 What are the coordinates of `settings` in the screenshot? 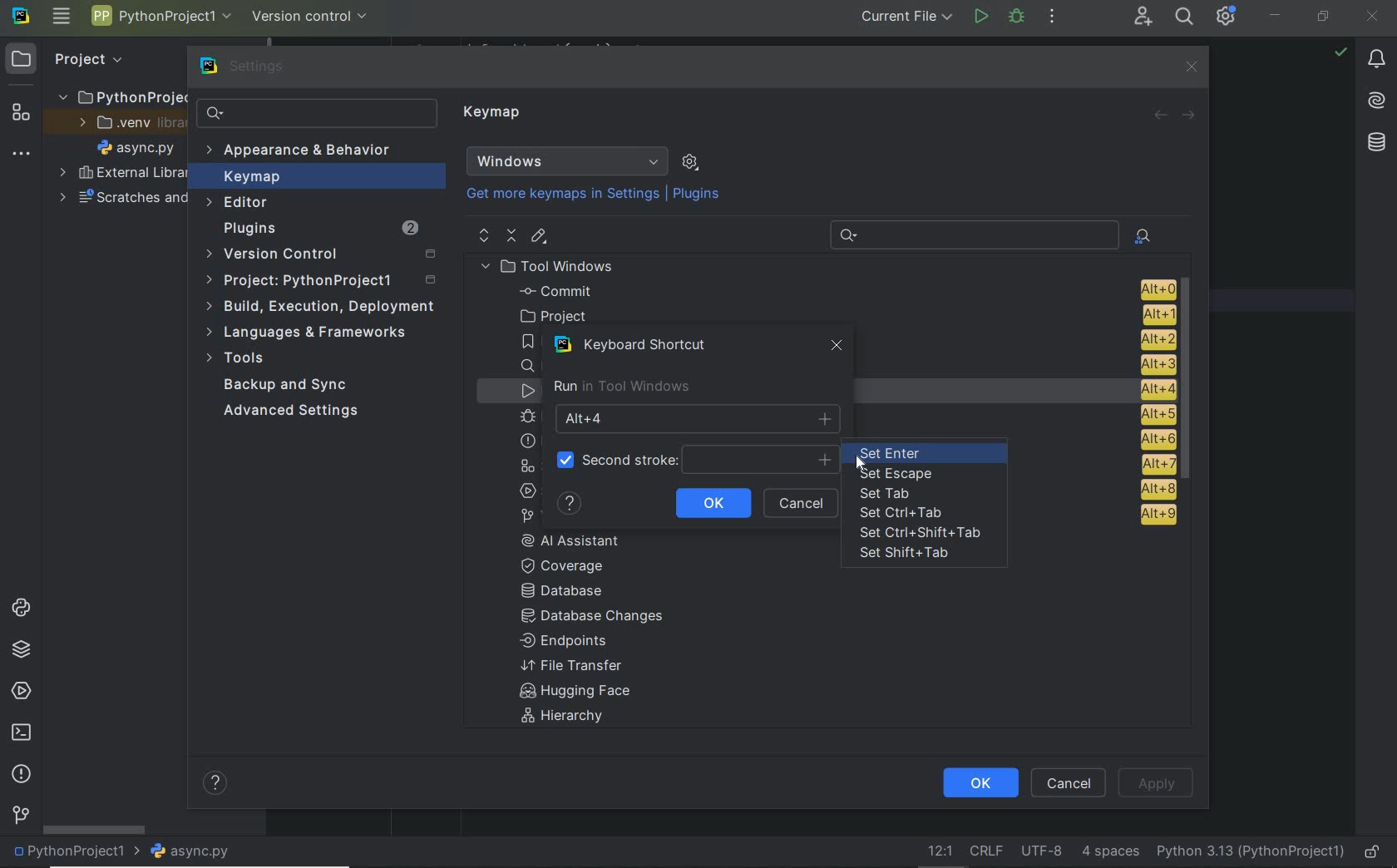 It's located at (245, 67).